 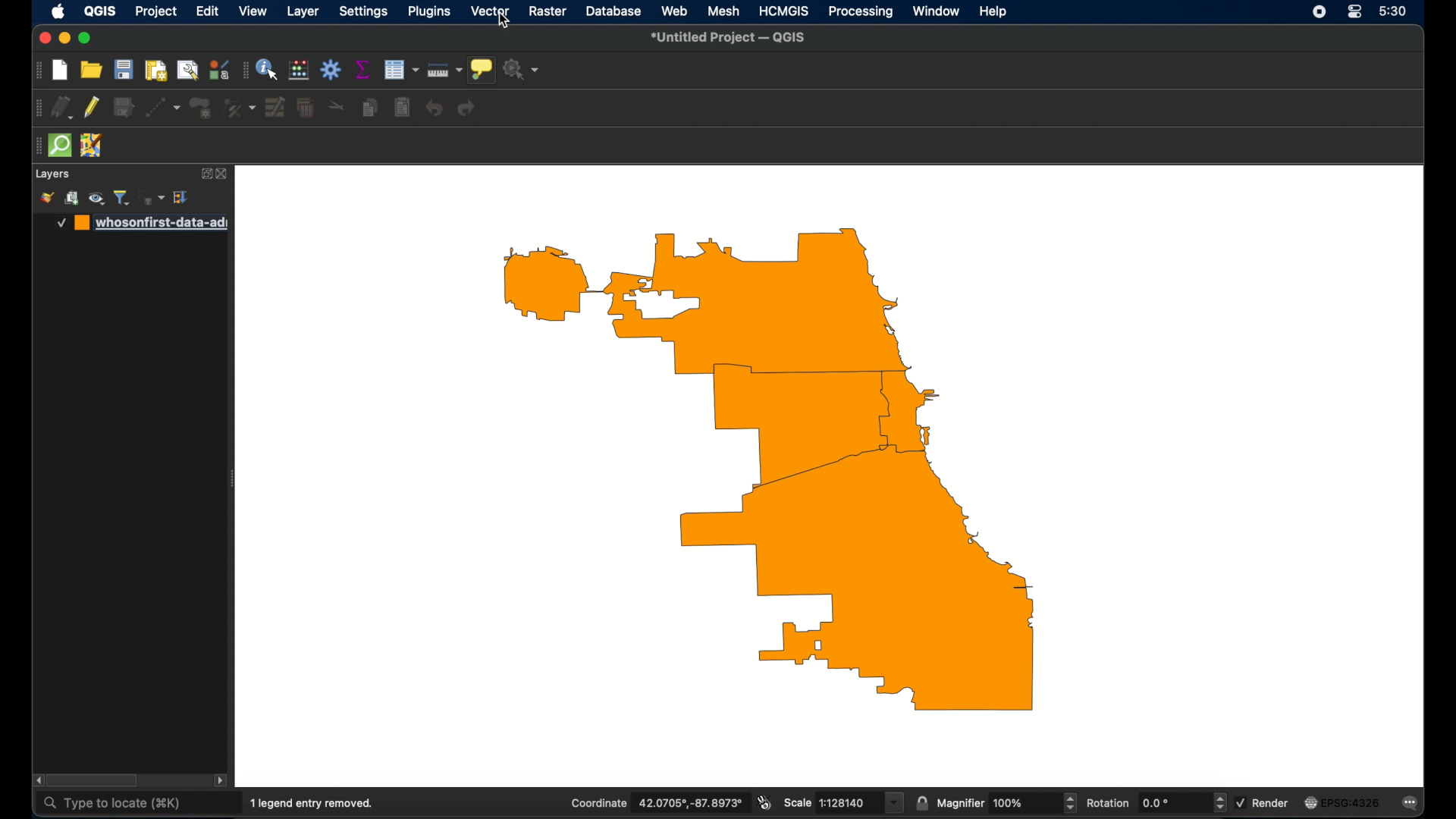 I want to click on scale, so click(x=843, y=802).